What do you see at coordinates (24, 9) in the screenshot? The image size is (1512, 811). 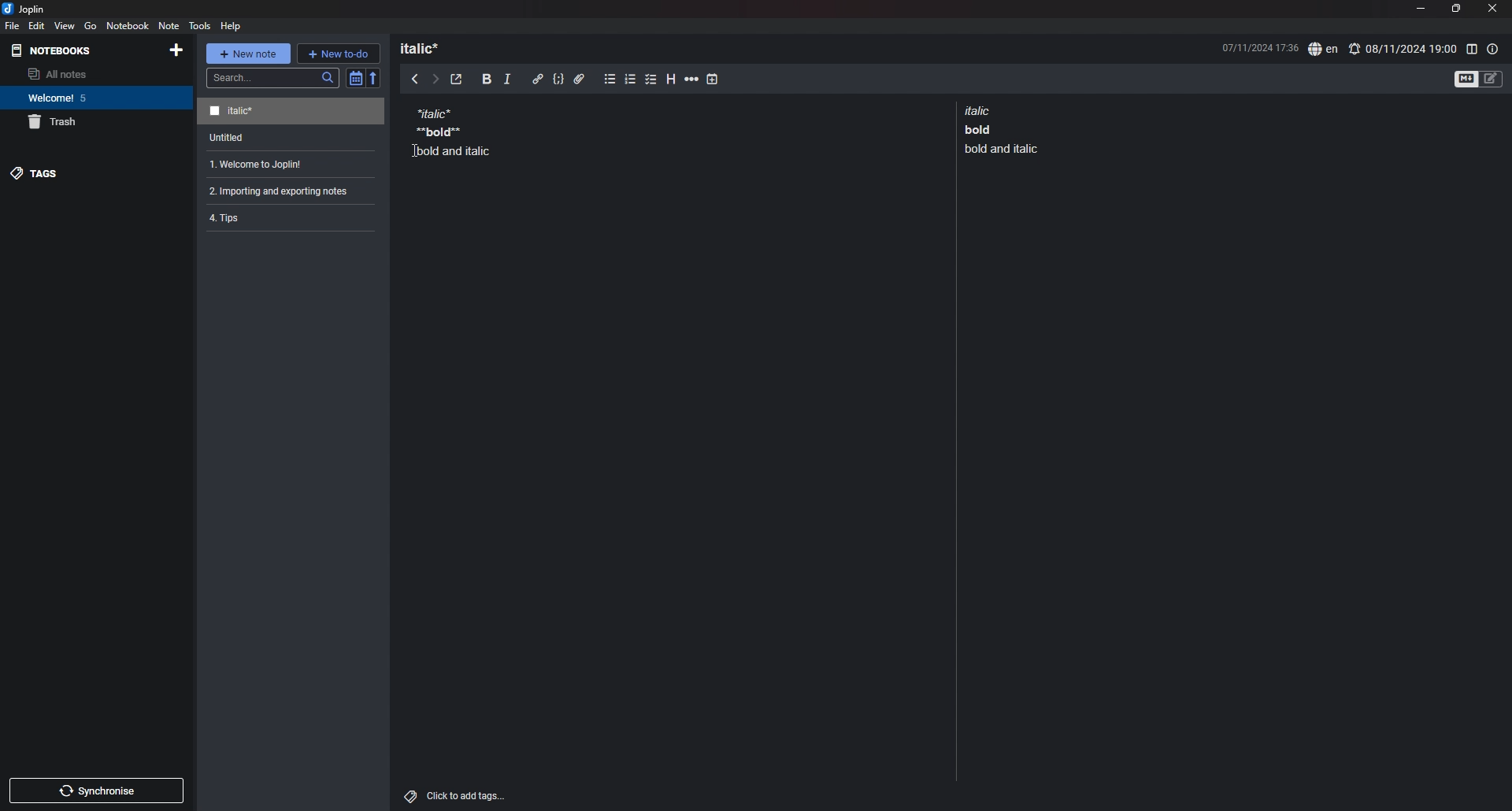 I see `joplin` at bounding box center [24, 9].